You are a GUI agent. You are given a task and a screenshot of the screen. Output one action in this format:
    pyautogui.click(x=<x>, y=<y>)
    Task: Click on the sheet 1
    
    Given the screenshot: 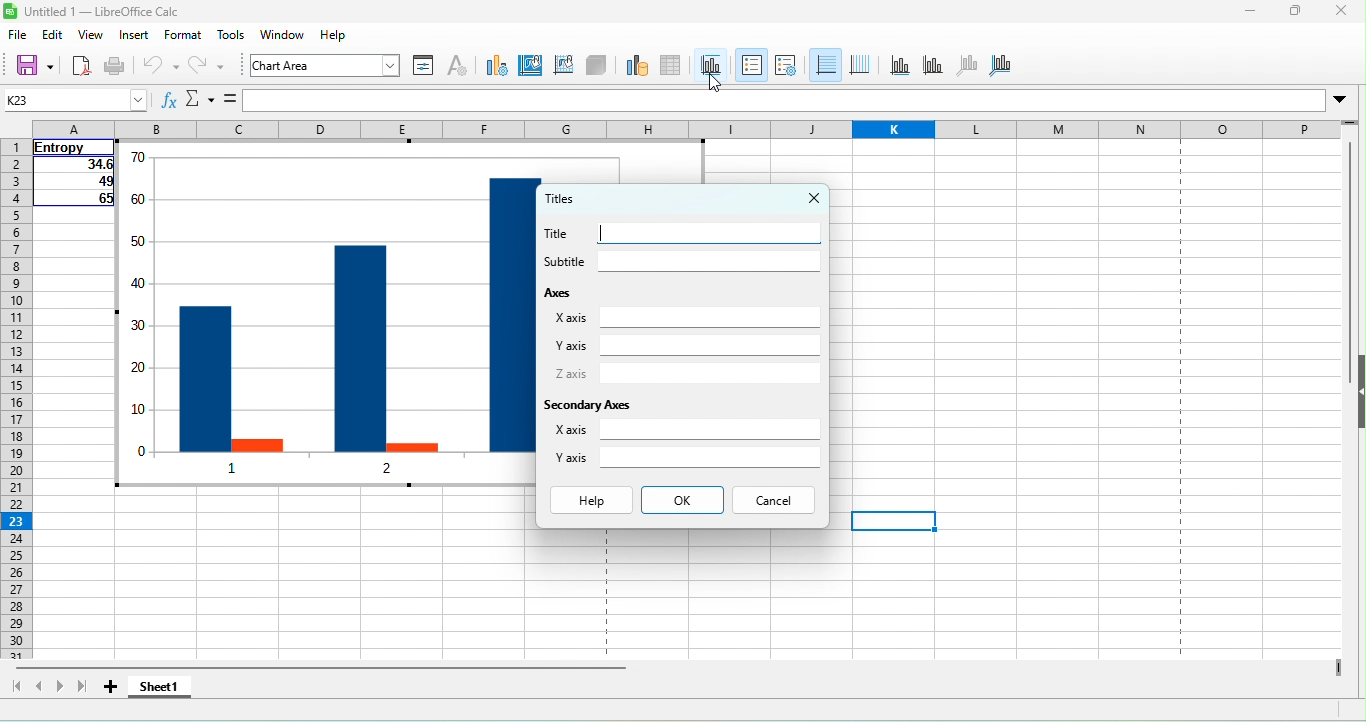 What is the action you would take?
    pyautogui.click(x=164, y=687)
    